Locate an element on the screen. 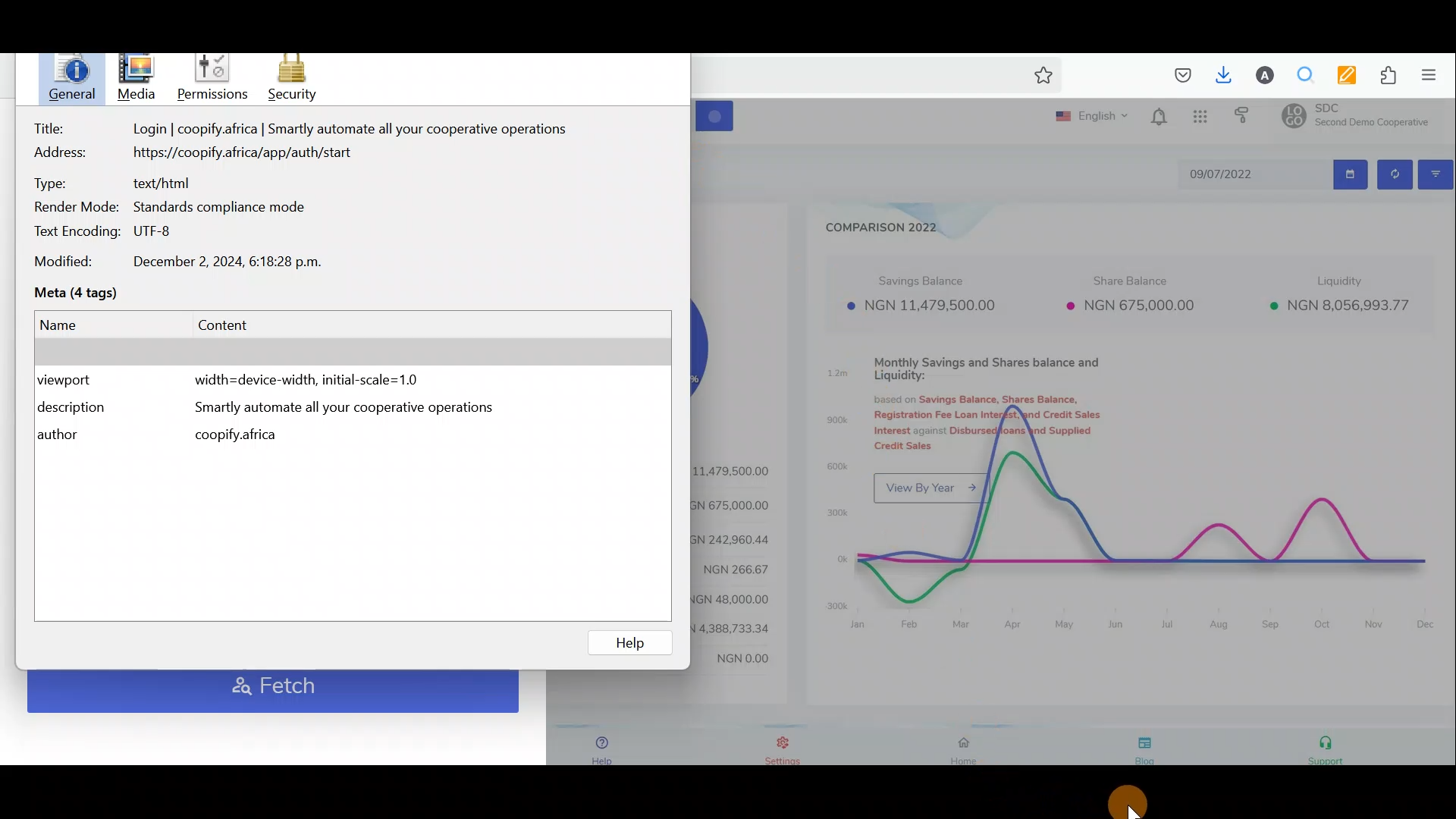  Meta (4 tags) is located at coordinates (102, 290).